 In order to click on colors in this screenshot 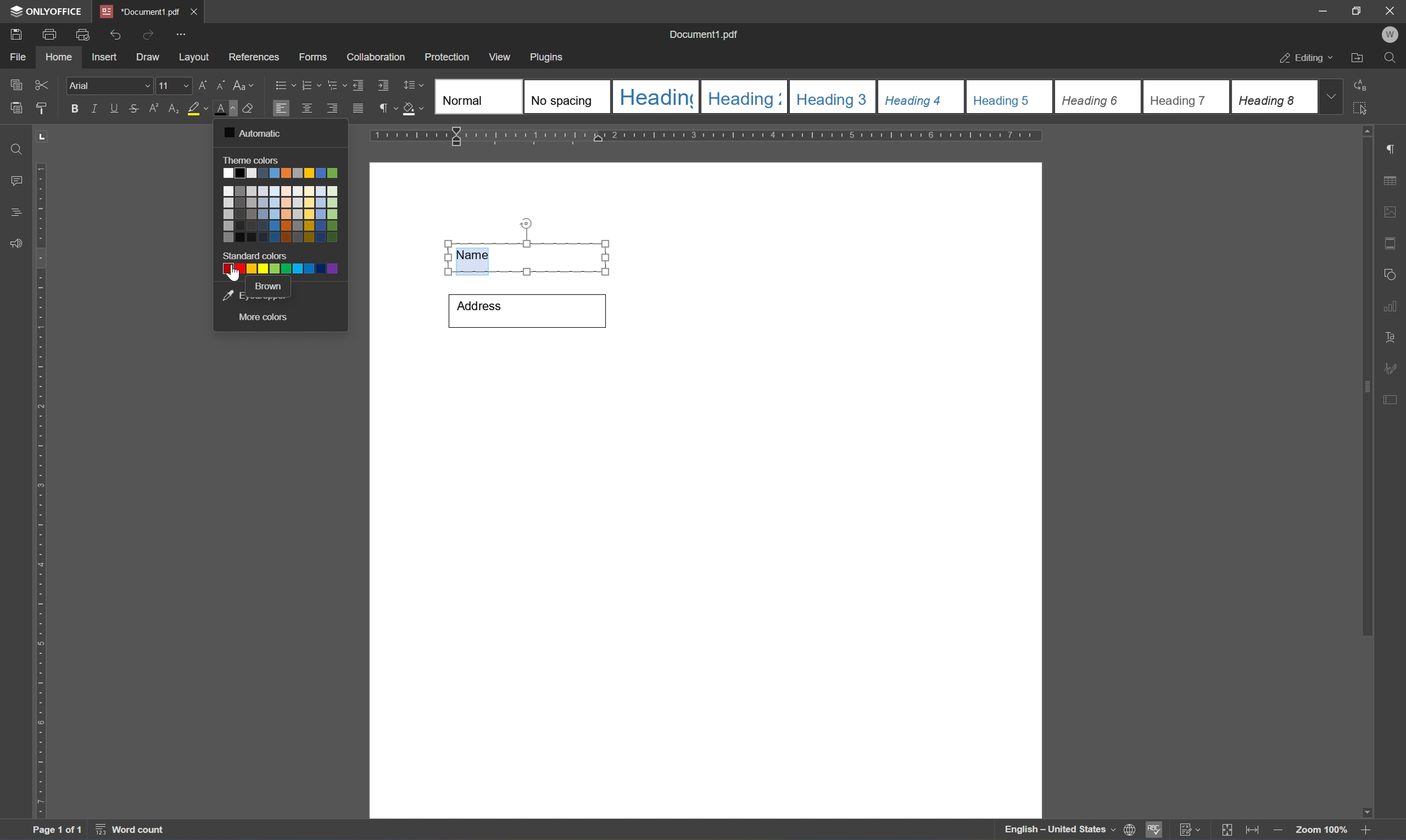, I will do `click(281, 271)`.